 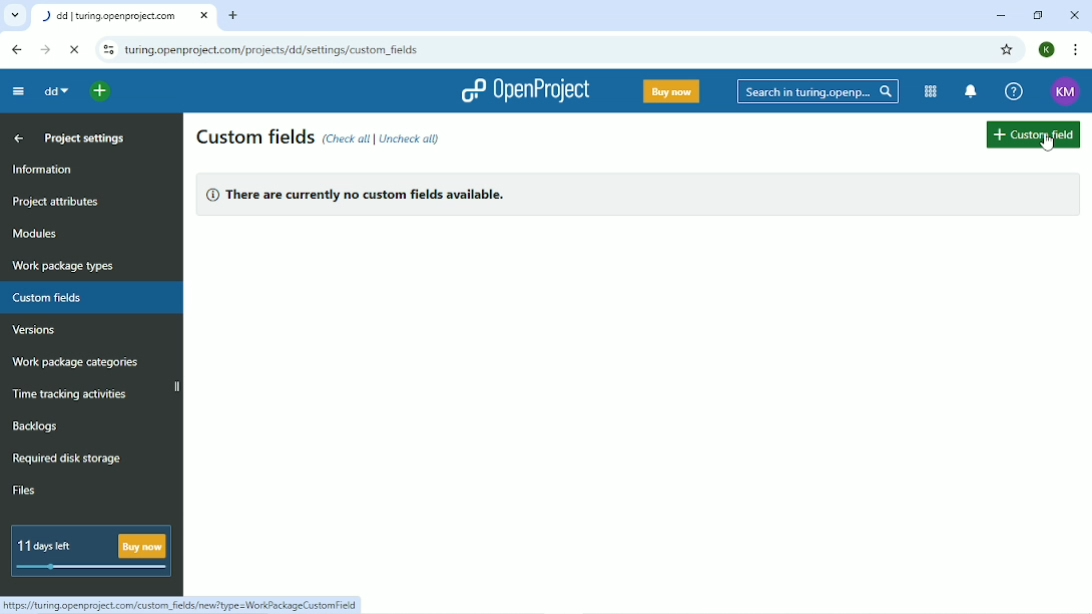 What do you see at coordinates (1046, 49) in the screenshot?
I see `Account` at bounding box center [1046, 49].